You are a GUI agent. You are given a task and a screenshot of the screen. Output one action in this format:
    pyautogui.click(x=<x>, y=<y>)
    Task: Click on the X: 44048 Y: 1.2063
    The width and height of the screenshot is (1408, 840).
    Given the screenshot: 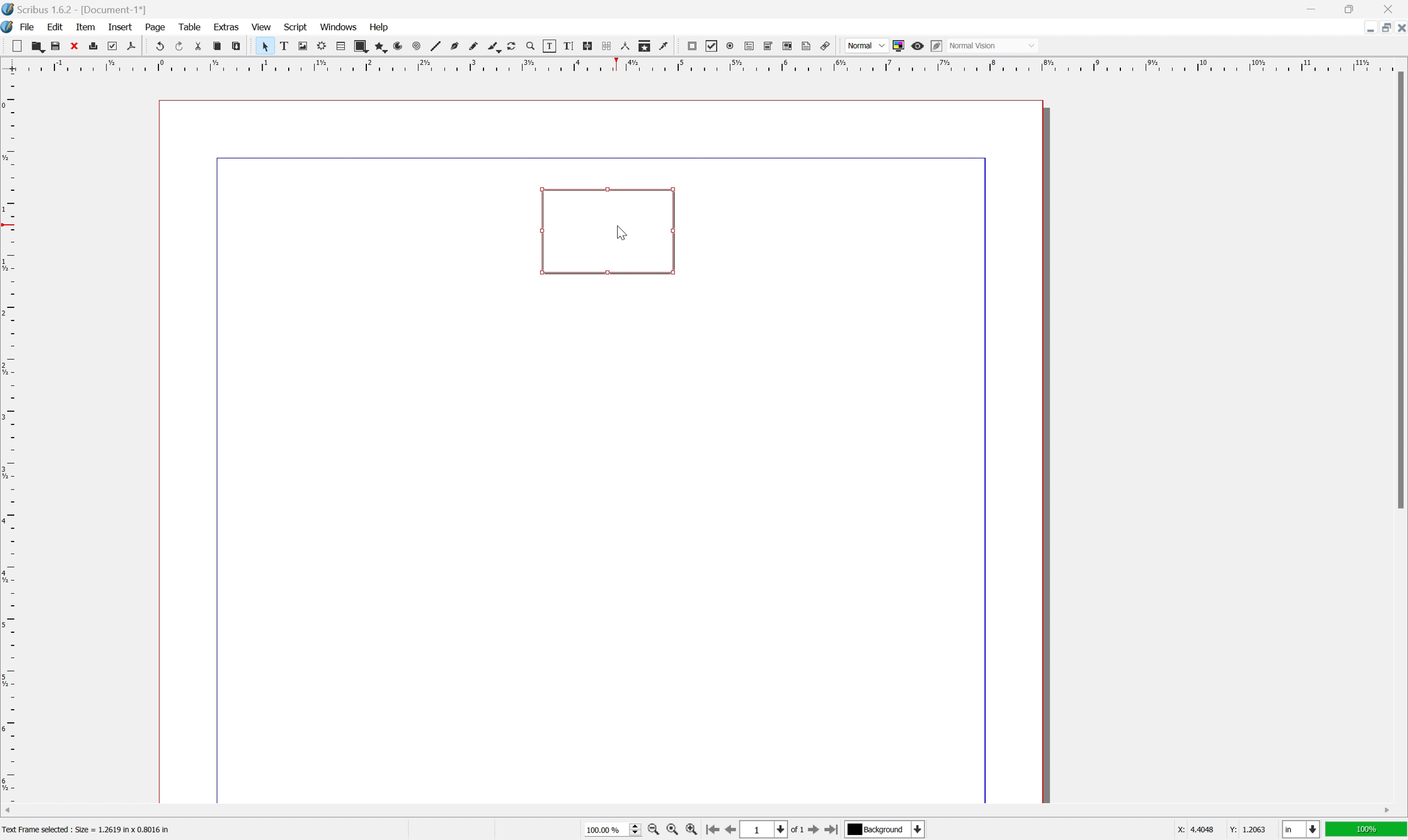 What is the action you would take?
    pyautogui.click(x=1219, y=829)
    